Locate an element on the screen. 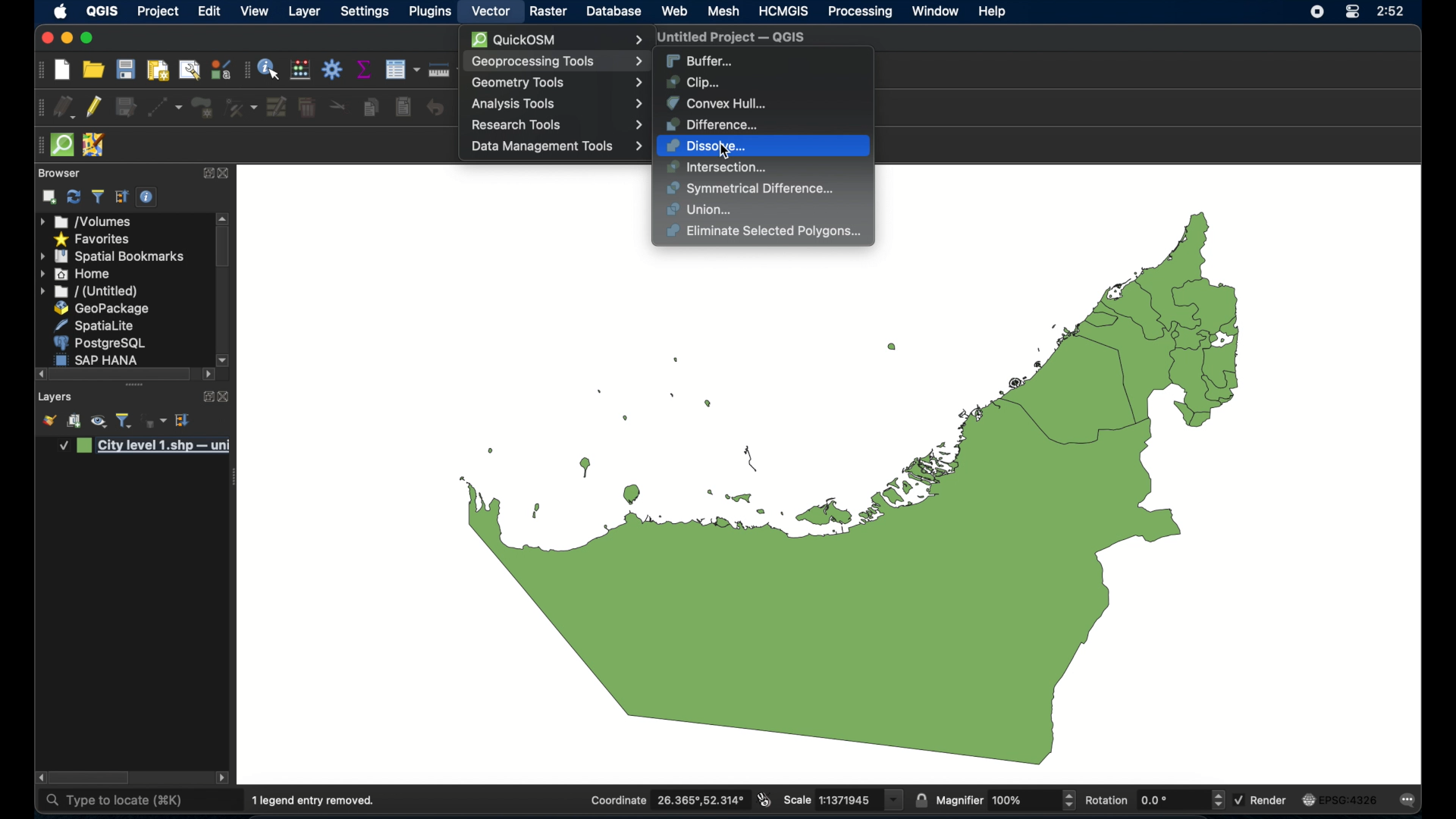 The width and height of the screenshot is (1456, 819). add selected layers is located at coordinates (49, 197).